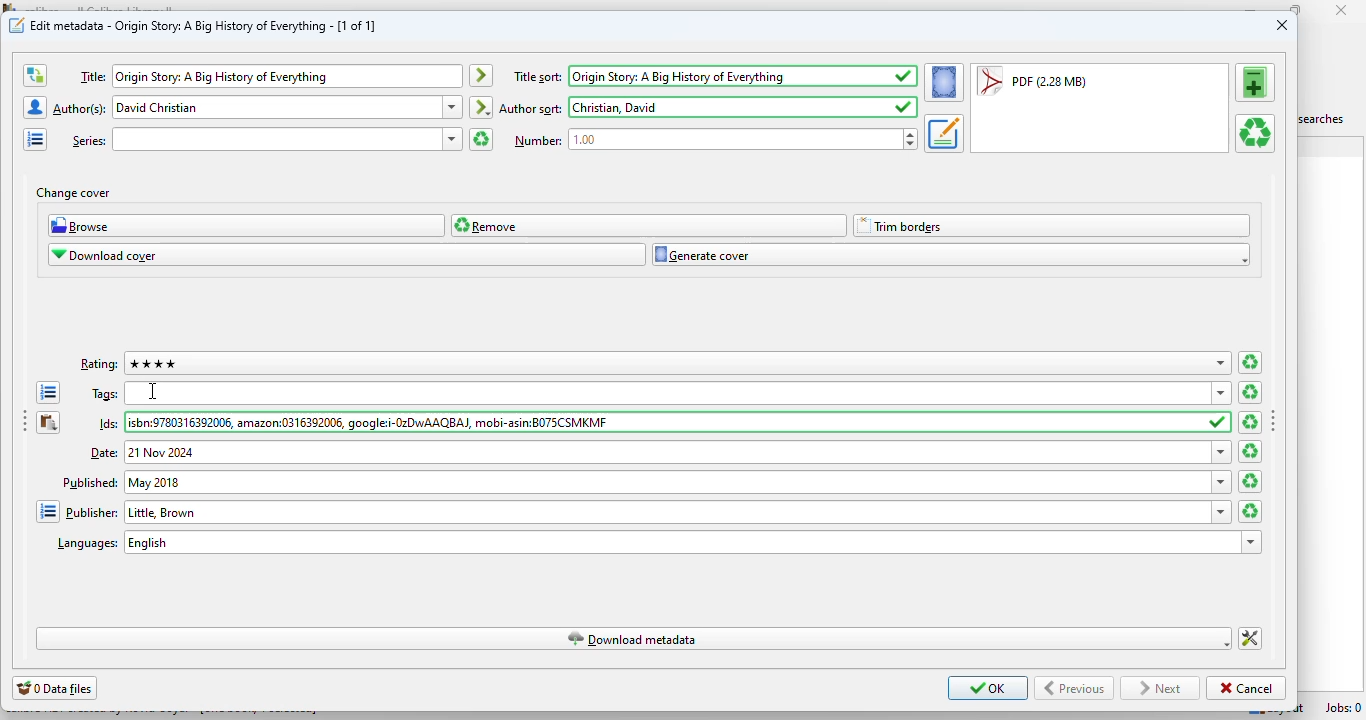  I want to click on dropdown, so click(453, 106).